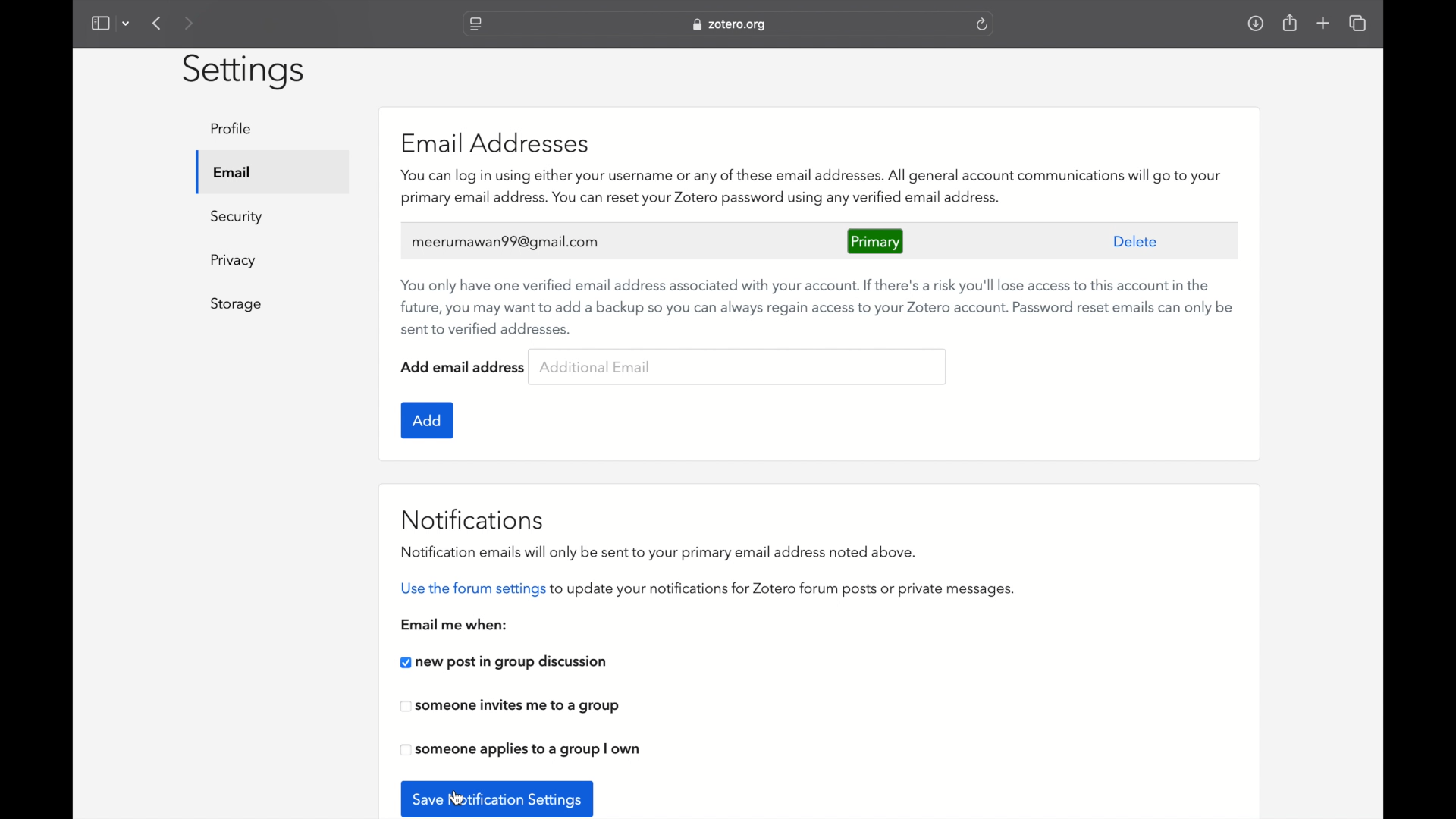 The height and width of the screenshot is (819, 1456). I want to click on recommendation to use verified backup email addresses, so click(817, 309).